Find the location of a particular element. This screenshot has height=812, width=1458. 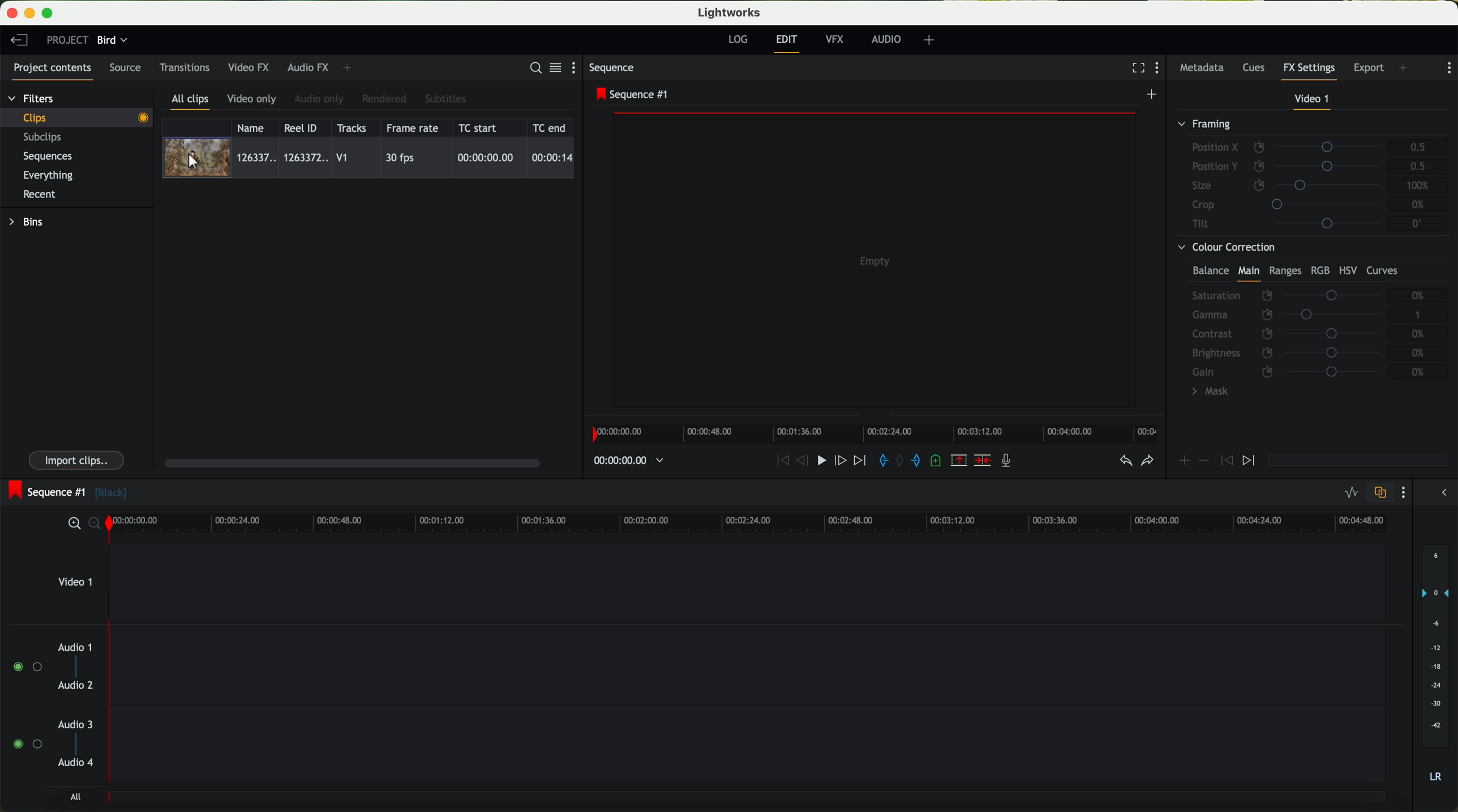

record a voice-over is located at coordinates (1010, 462).